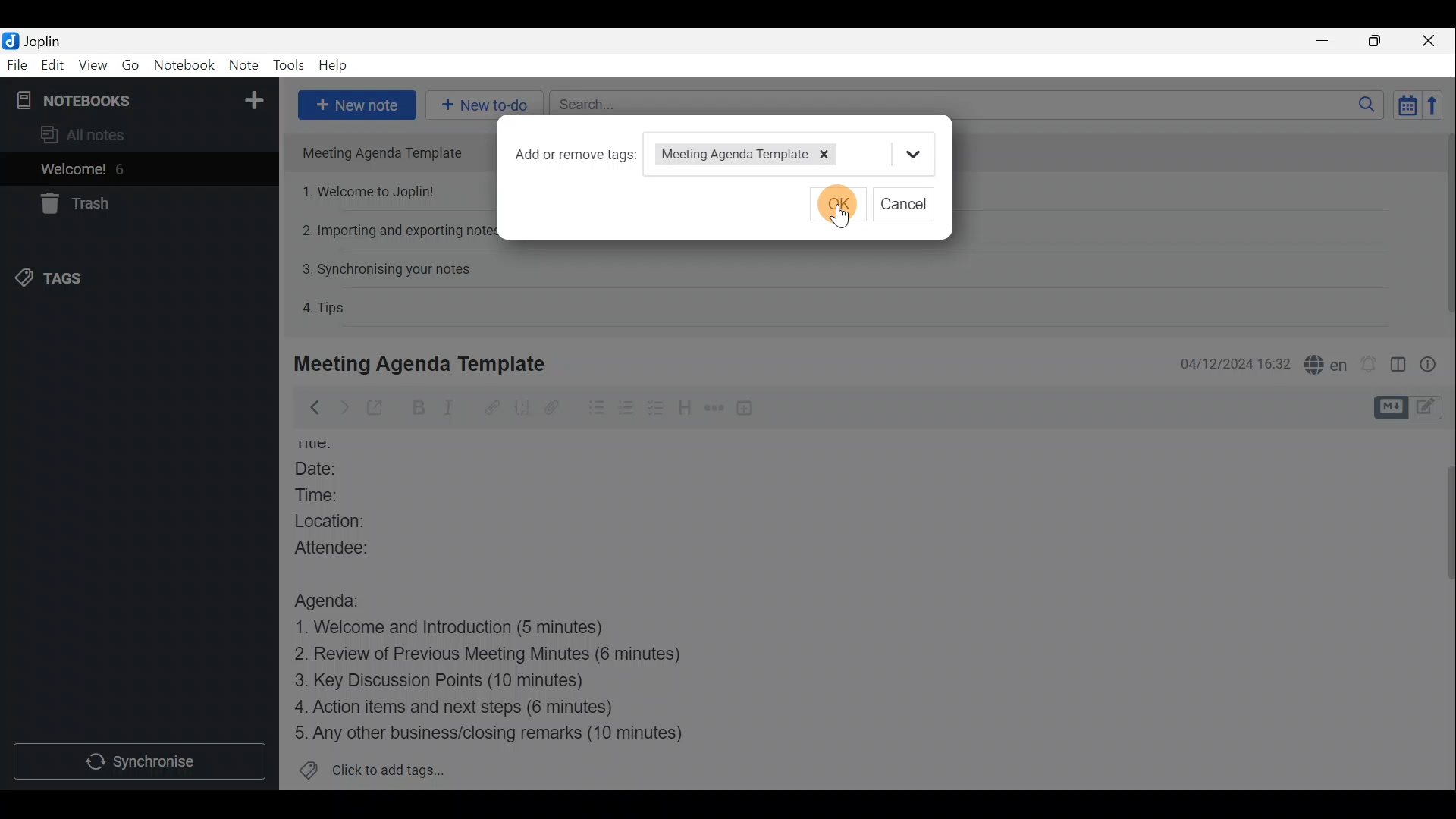 The height and width of the screenshot is (819, 1456). Describe the element at coordinates (1429, 409) in the screenshot. I see `Toggle editors` at that location.